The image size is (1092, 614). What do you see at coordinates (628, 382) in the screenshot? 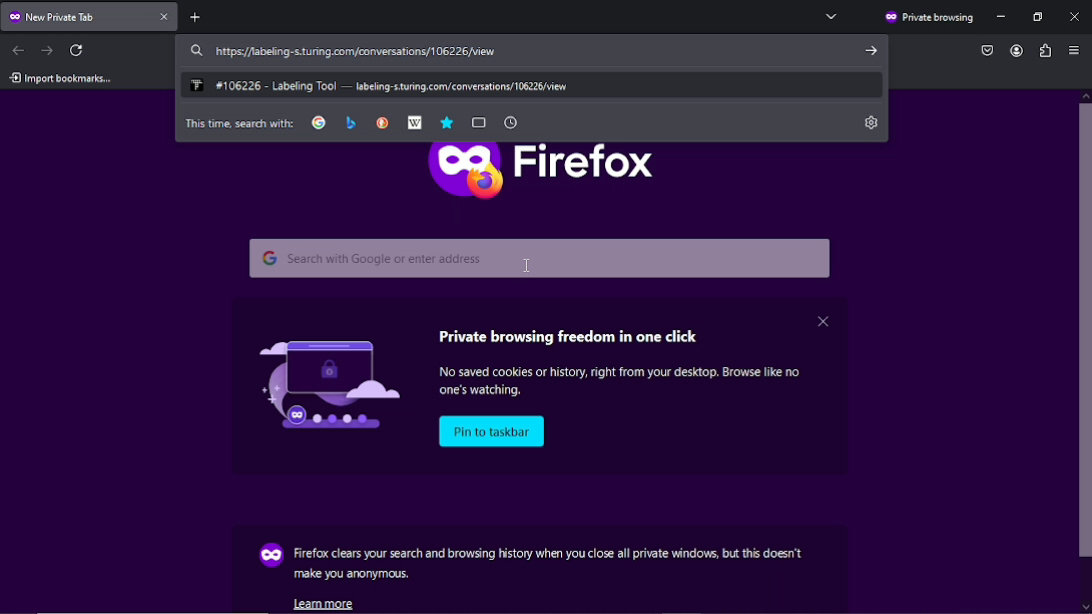
I see `No saved cookies or history, right from your desktop. Browse like no one's watching.` at bounding box center [628, 382].